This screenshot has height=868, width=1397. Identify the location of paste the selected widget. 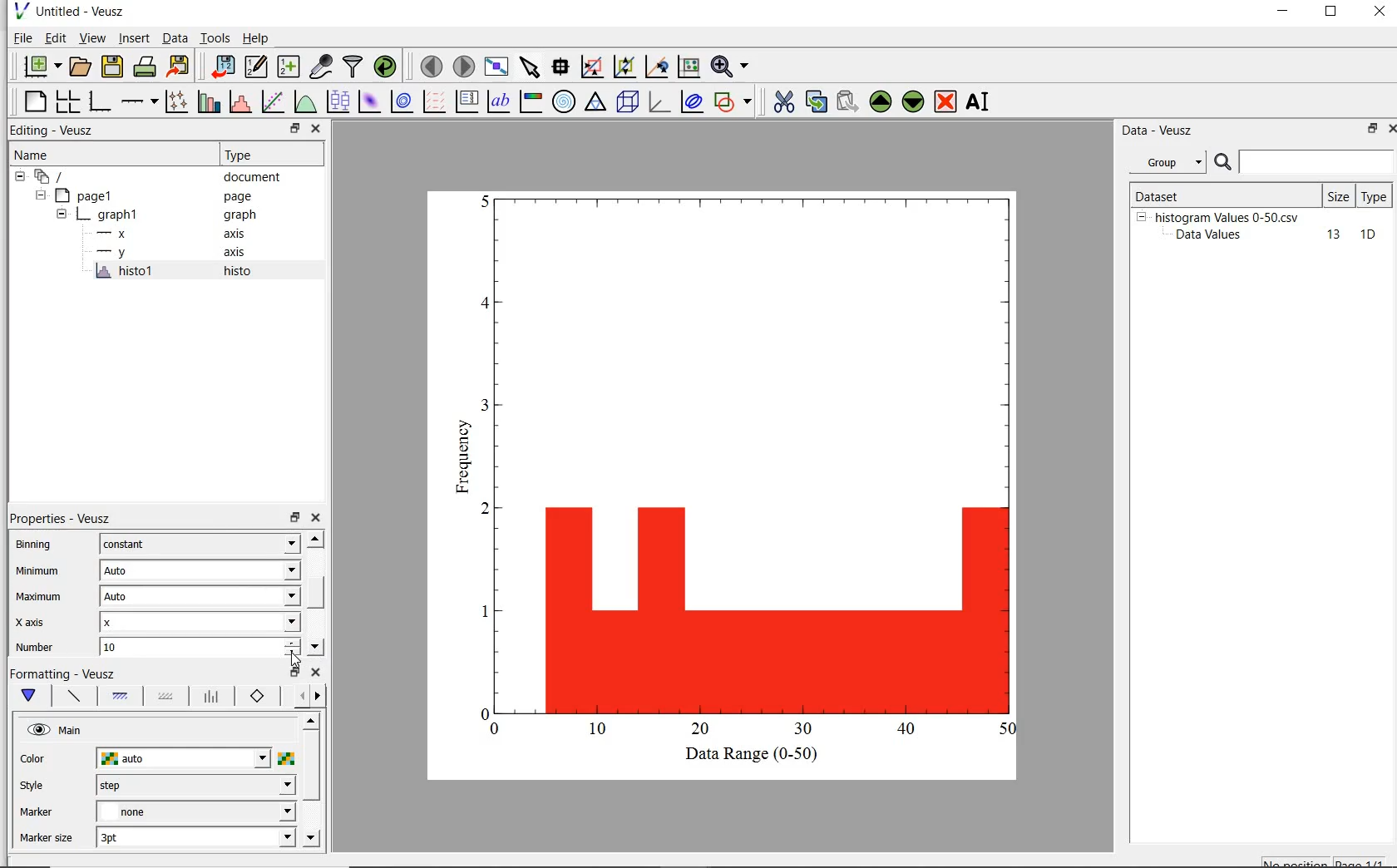
(847, 103).